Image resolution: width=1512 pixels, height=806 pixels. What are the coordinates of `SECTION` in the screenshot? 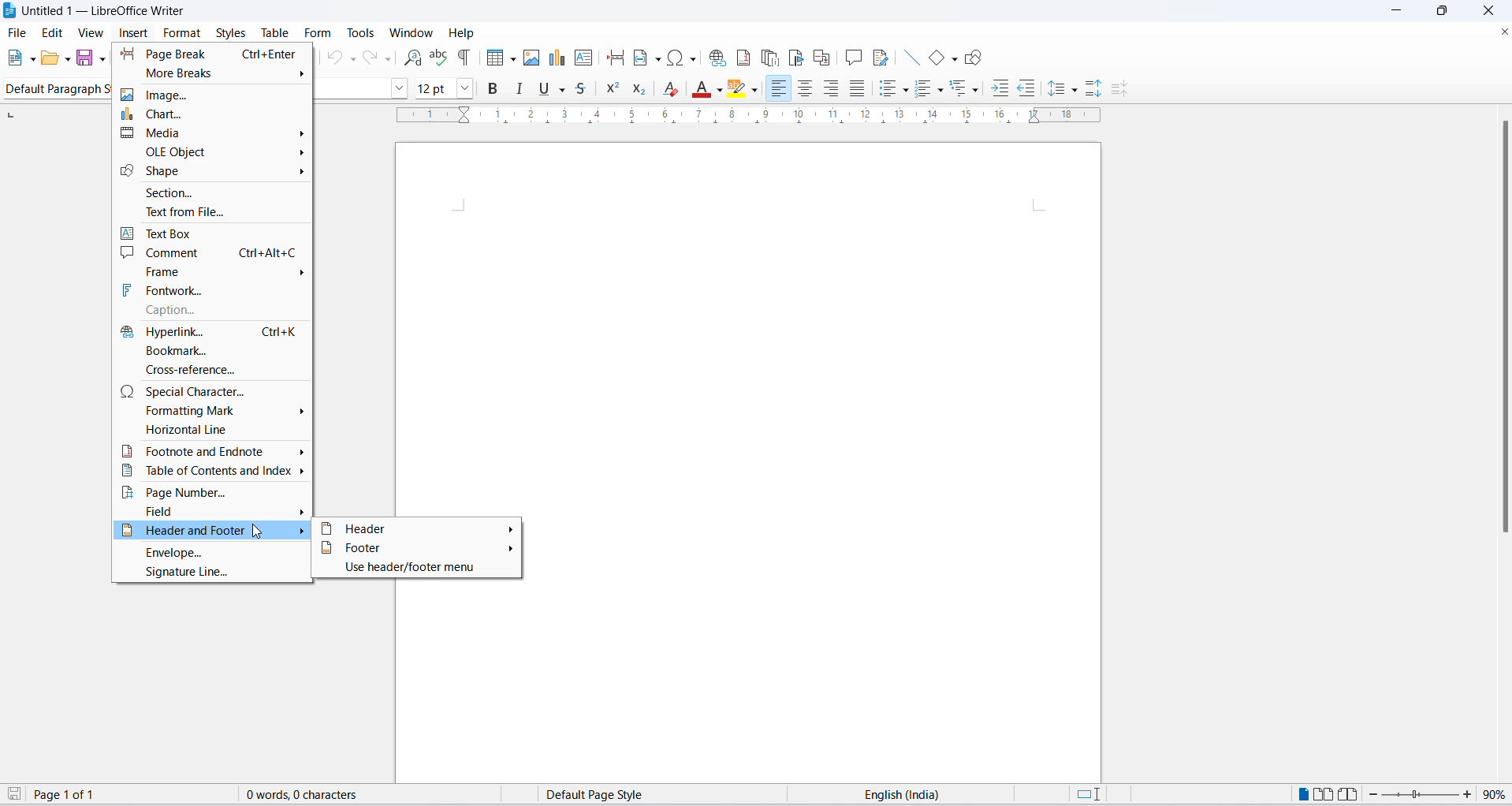 It's located at (210, 191).